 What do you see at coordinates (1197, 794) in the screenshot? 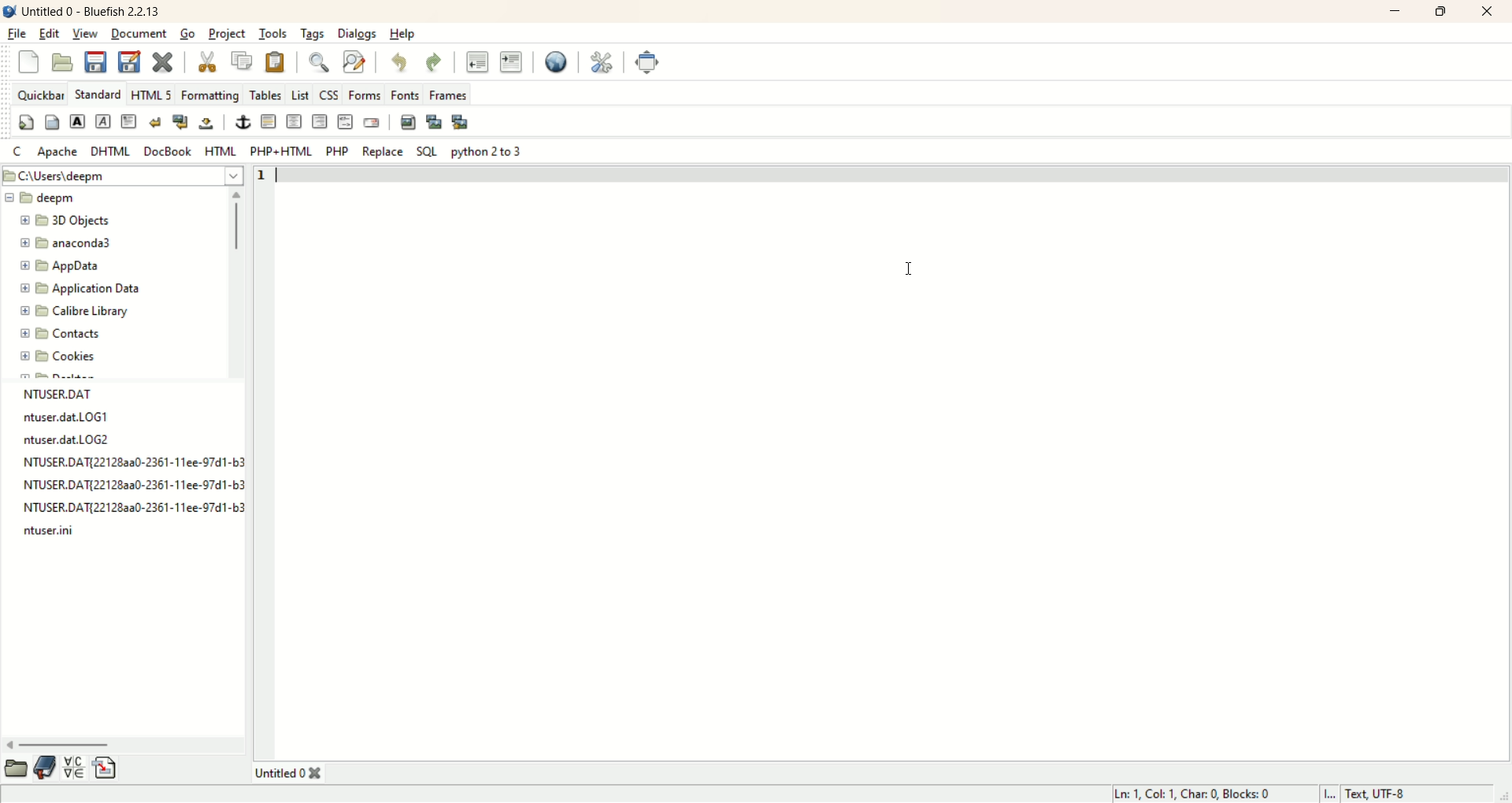
I see `lin, col, char, blocks` at bounding box center [1197, 794].